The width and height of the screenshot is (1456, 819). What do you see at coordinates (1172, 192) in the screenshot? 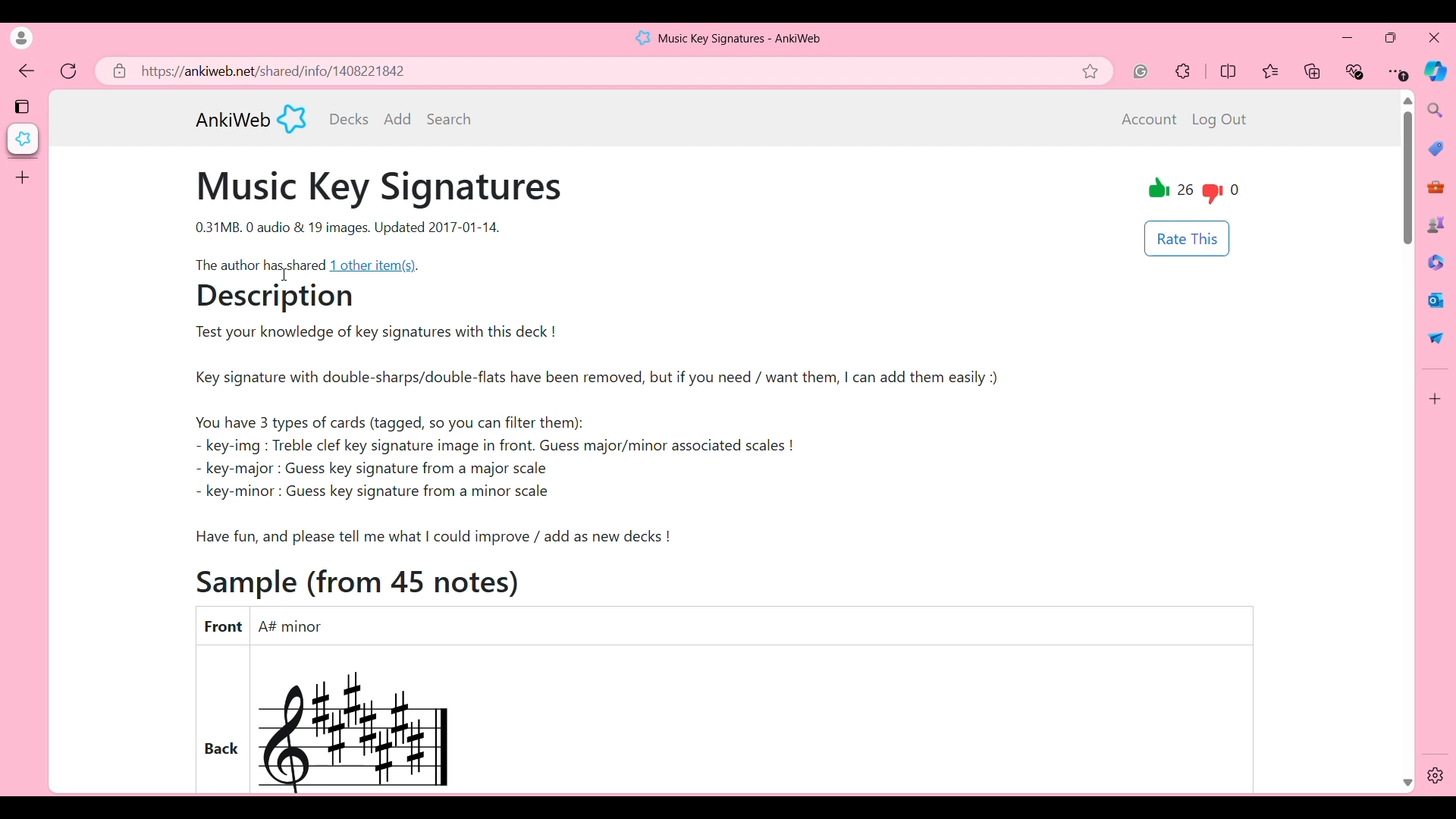
I see `Likes for current deck` at bounding box center [1172, 192].